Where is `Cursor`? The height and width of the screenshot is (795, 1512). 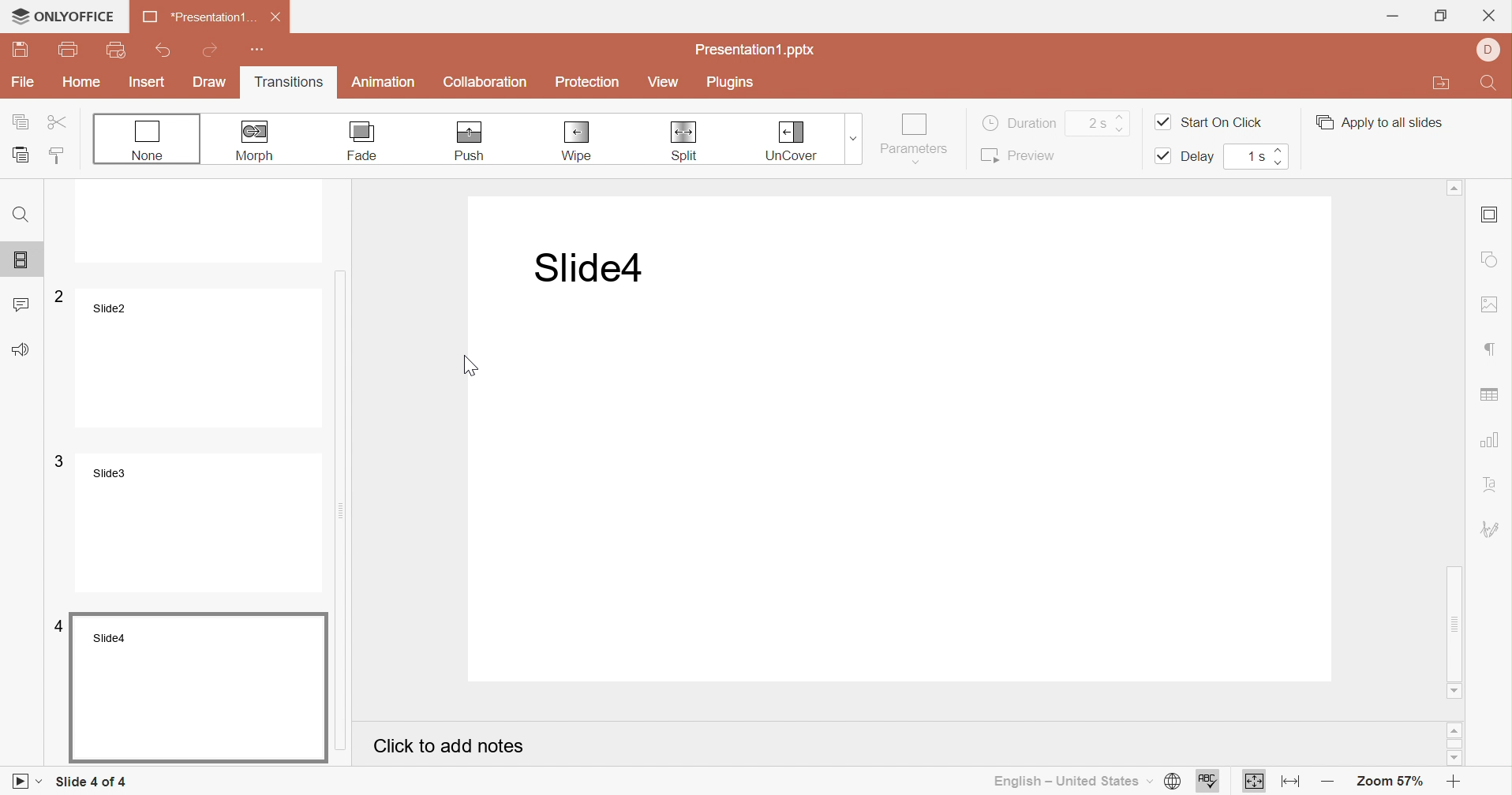
Cursor is located at coordinates (473, 366).